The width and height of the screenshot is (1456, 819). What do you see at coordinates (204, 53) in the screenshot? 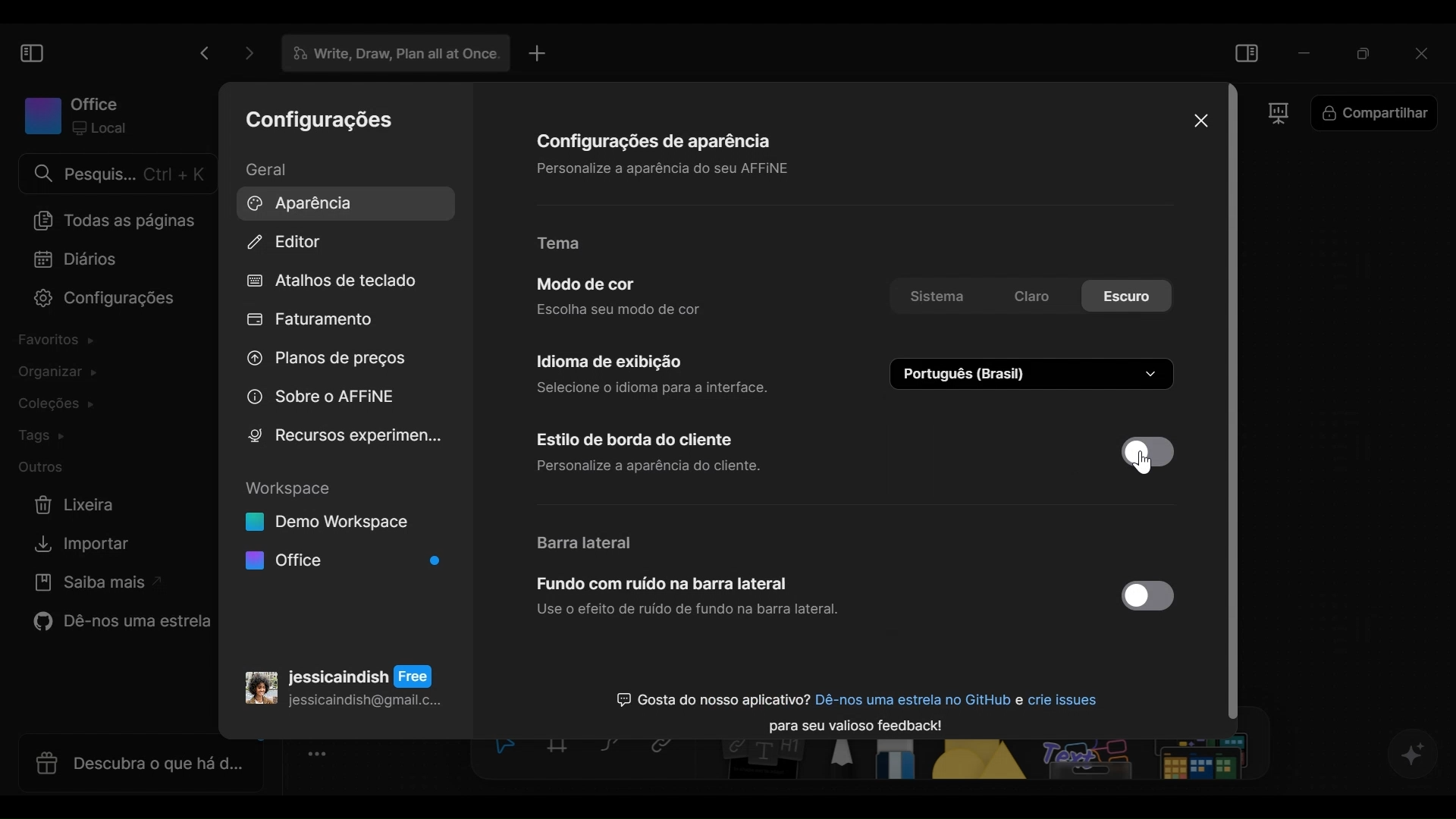
I see `Click to go back` at bounding box center [204, 53].